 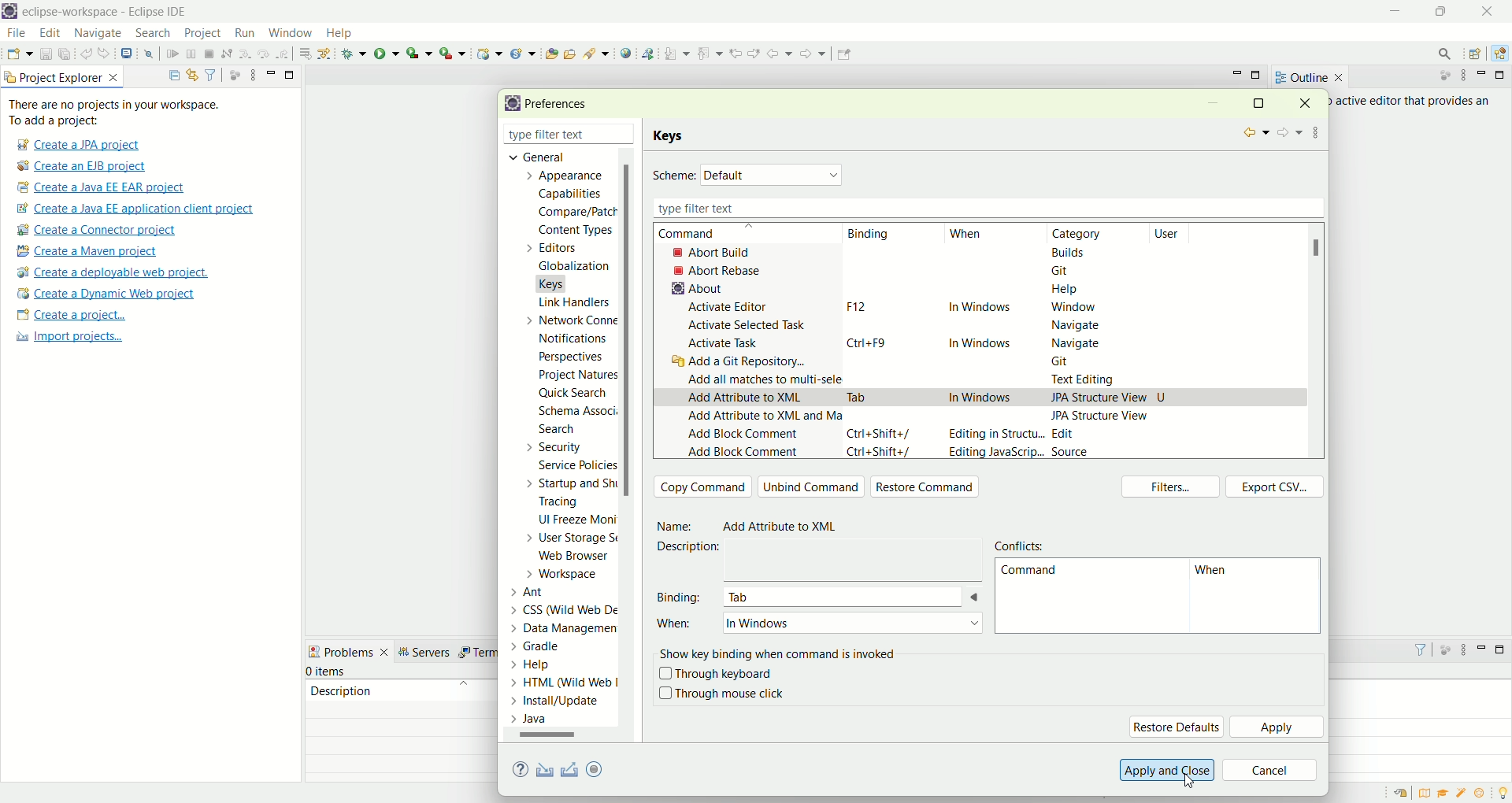 I want to click on copy command, so click(x=703, y=487).